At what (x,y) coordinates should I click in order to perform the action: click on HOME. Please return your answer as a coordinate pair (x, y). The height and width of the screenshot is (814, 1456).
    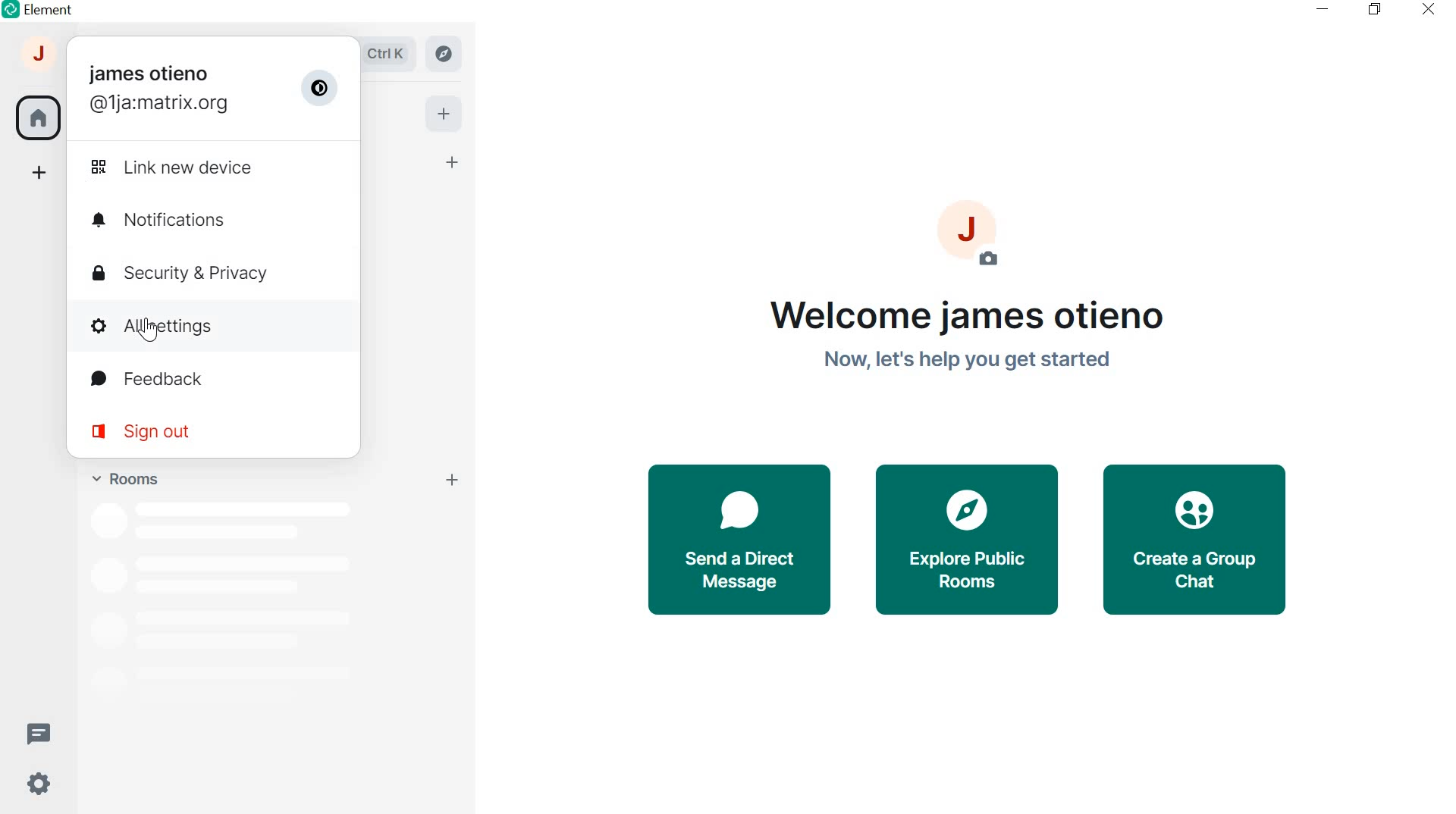
    Looking at the image, I should click on (37, 115).